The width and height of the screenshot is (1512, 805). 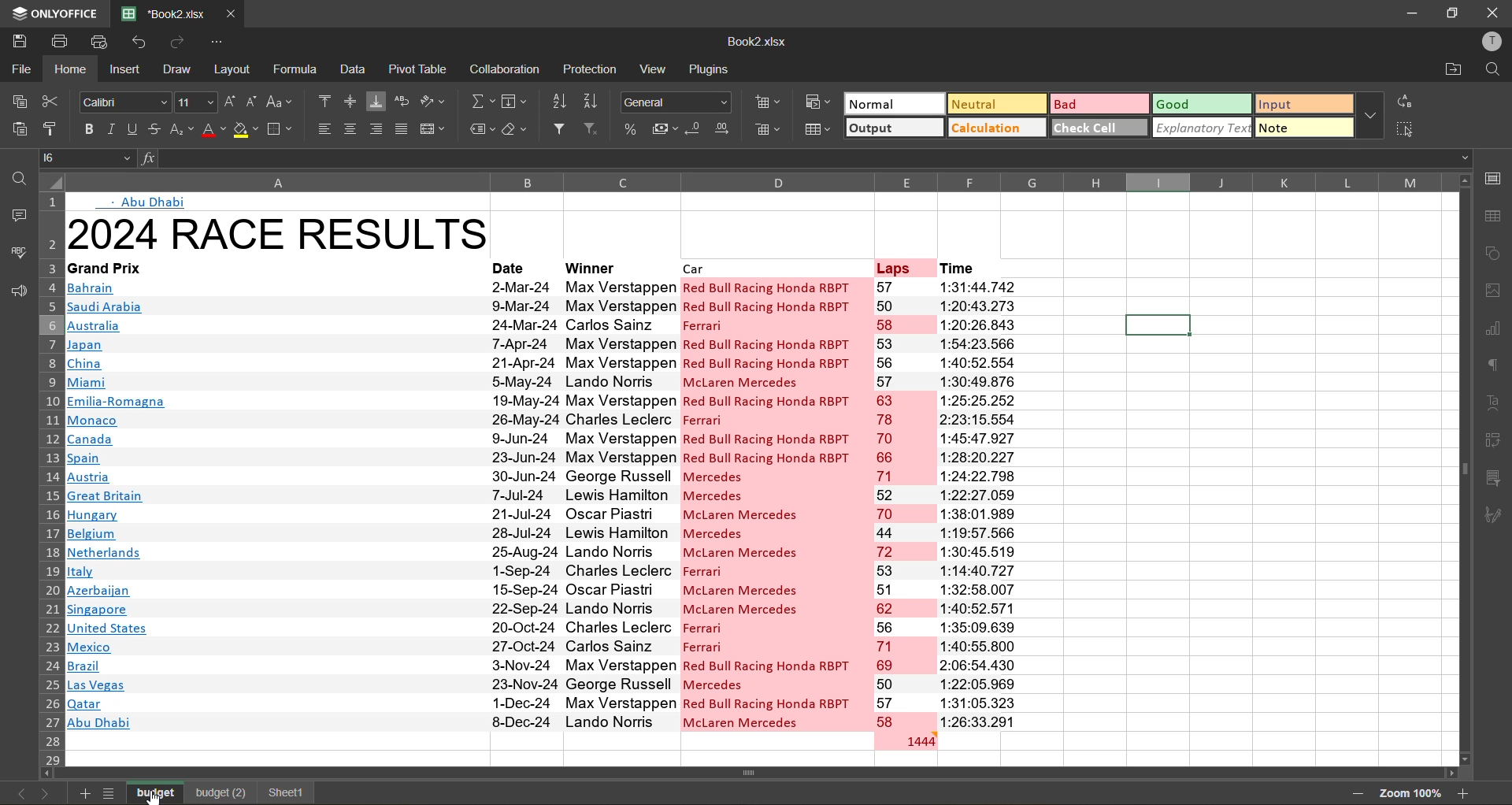 I want to click on sort descending, so click(x=596, y=101).